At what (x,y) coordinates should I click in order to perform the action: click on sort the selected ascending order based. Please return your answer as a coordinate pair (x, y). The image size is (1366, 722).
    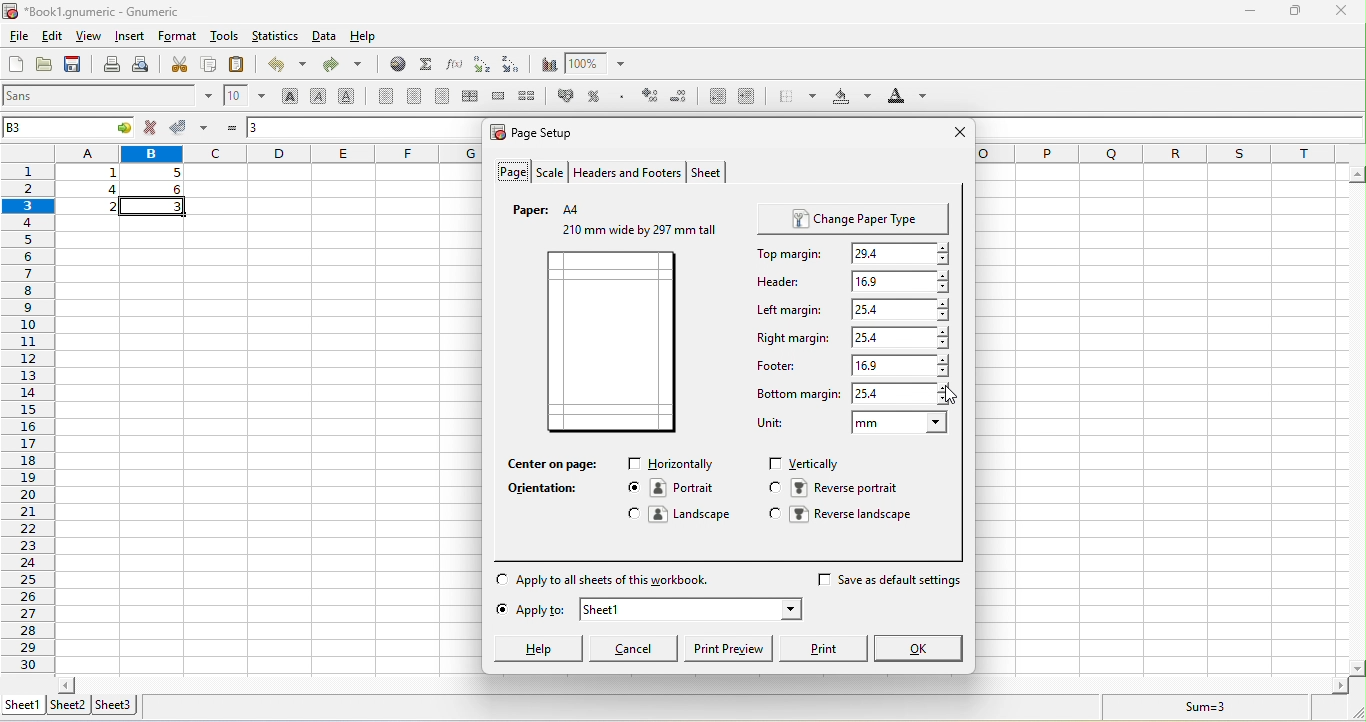
    Looking at the image, I should click on (483, 64).